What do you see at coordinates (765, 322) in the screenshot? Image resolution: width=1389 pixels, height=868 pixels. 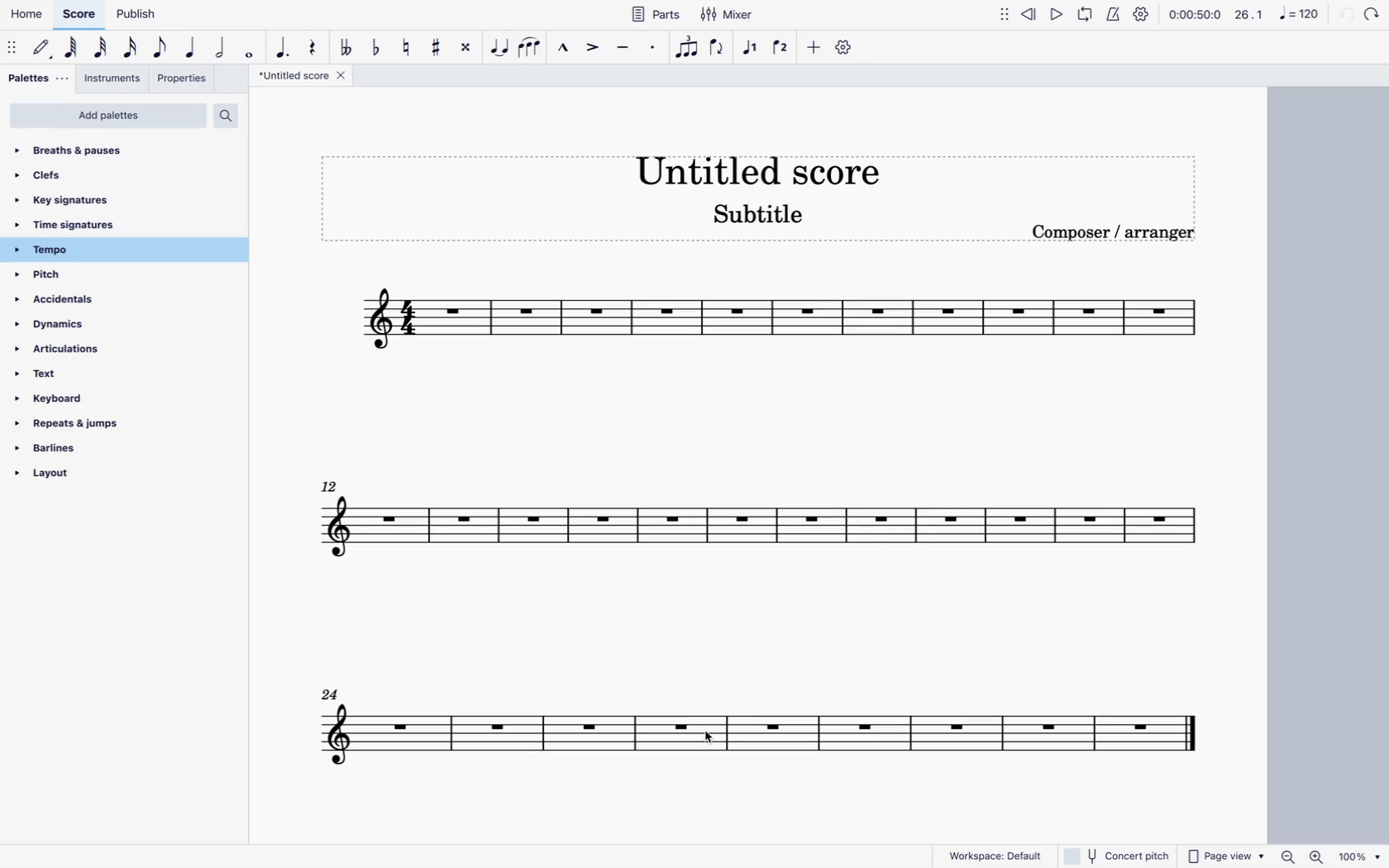 I see `score` at bounding box center [765, 322].